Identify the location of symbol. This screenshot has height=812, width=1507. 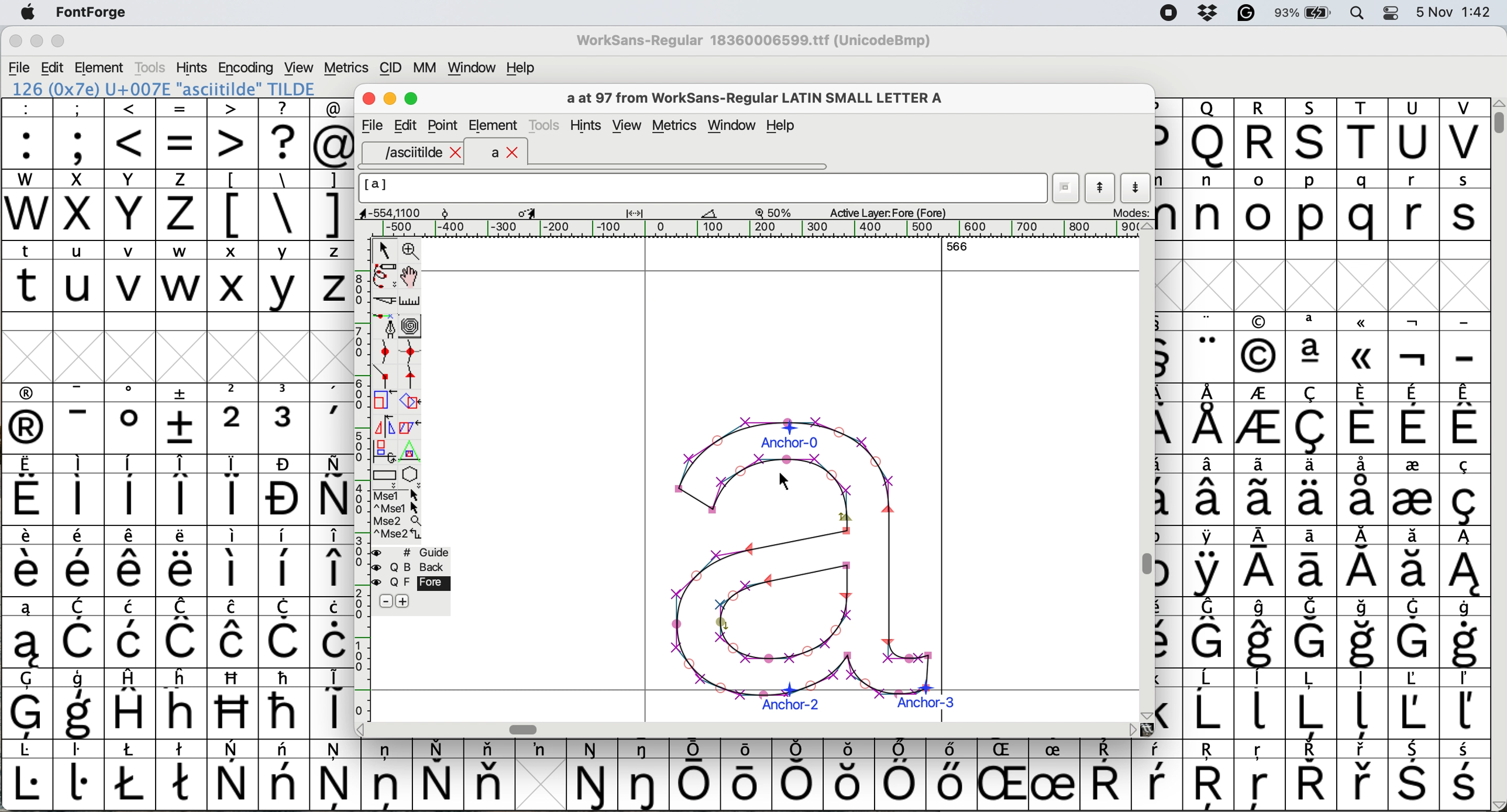
(1157, 775).